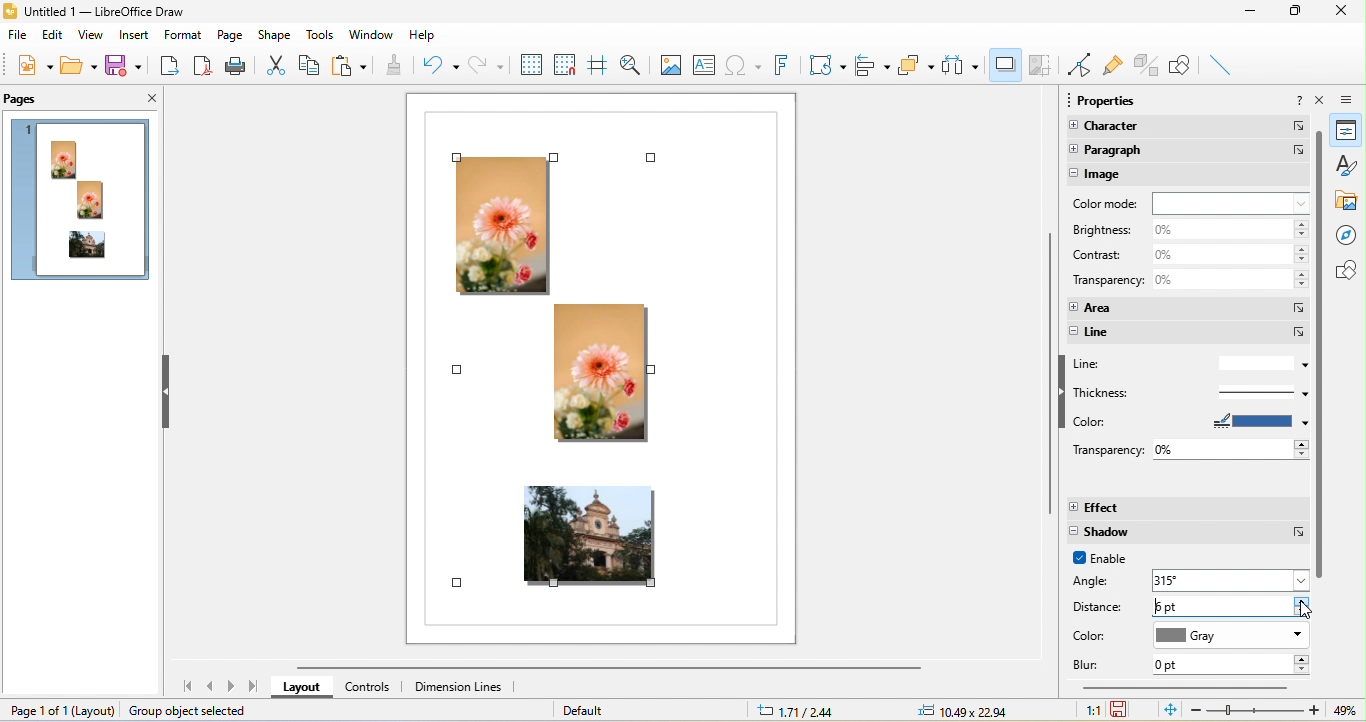 The height and width of the screenshot is (722, 1366). I want to click on brightness 0%, so click(1189, 229).